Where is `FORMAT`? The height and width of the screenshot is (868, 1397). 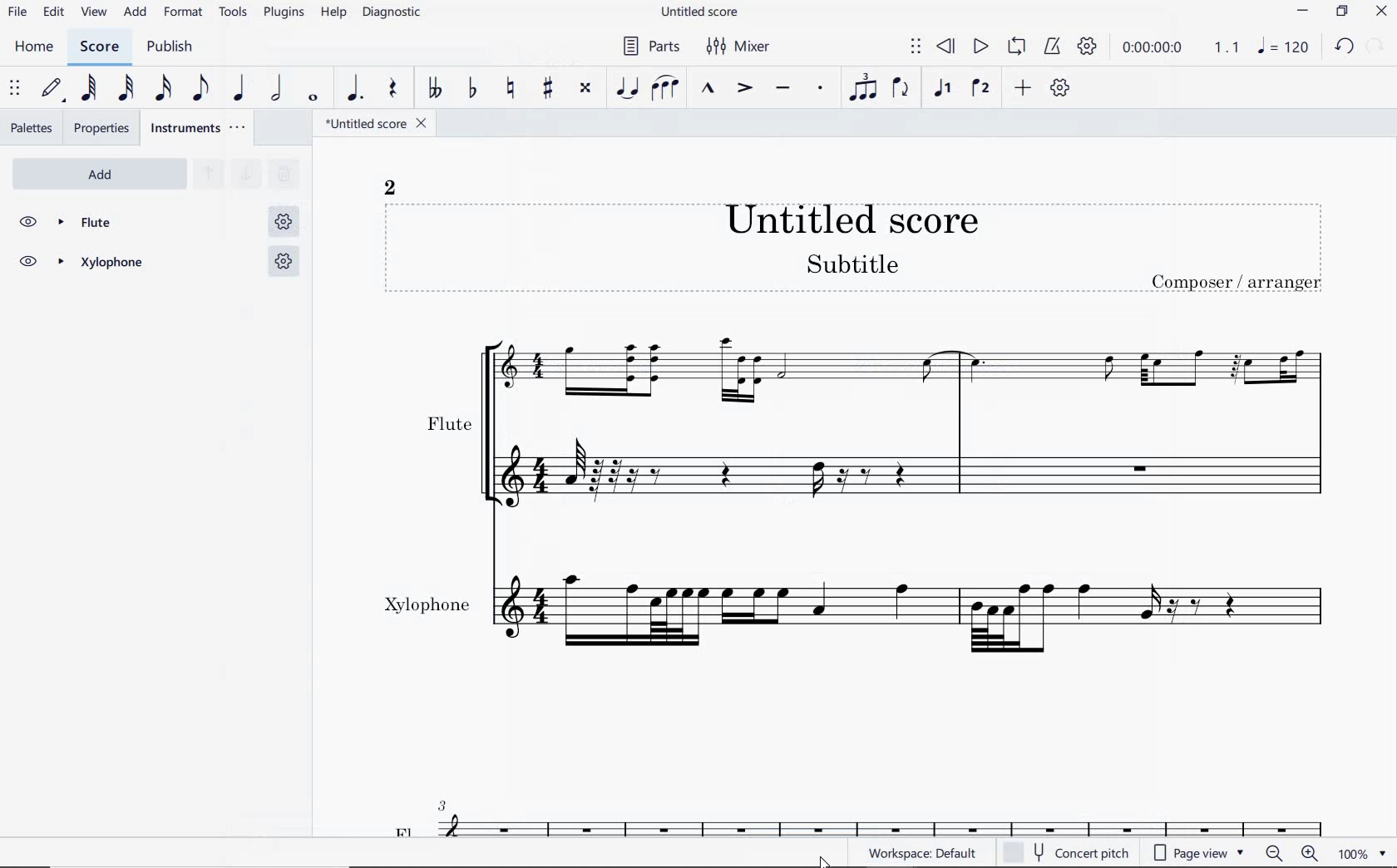 FORMAT is located at coordinates (184, 13).